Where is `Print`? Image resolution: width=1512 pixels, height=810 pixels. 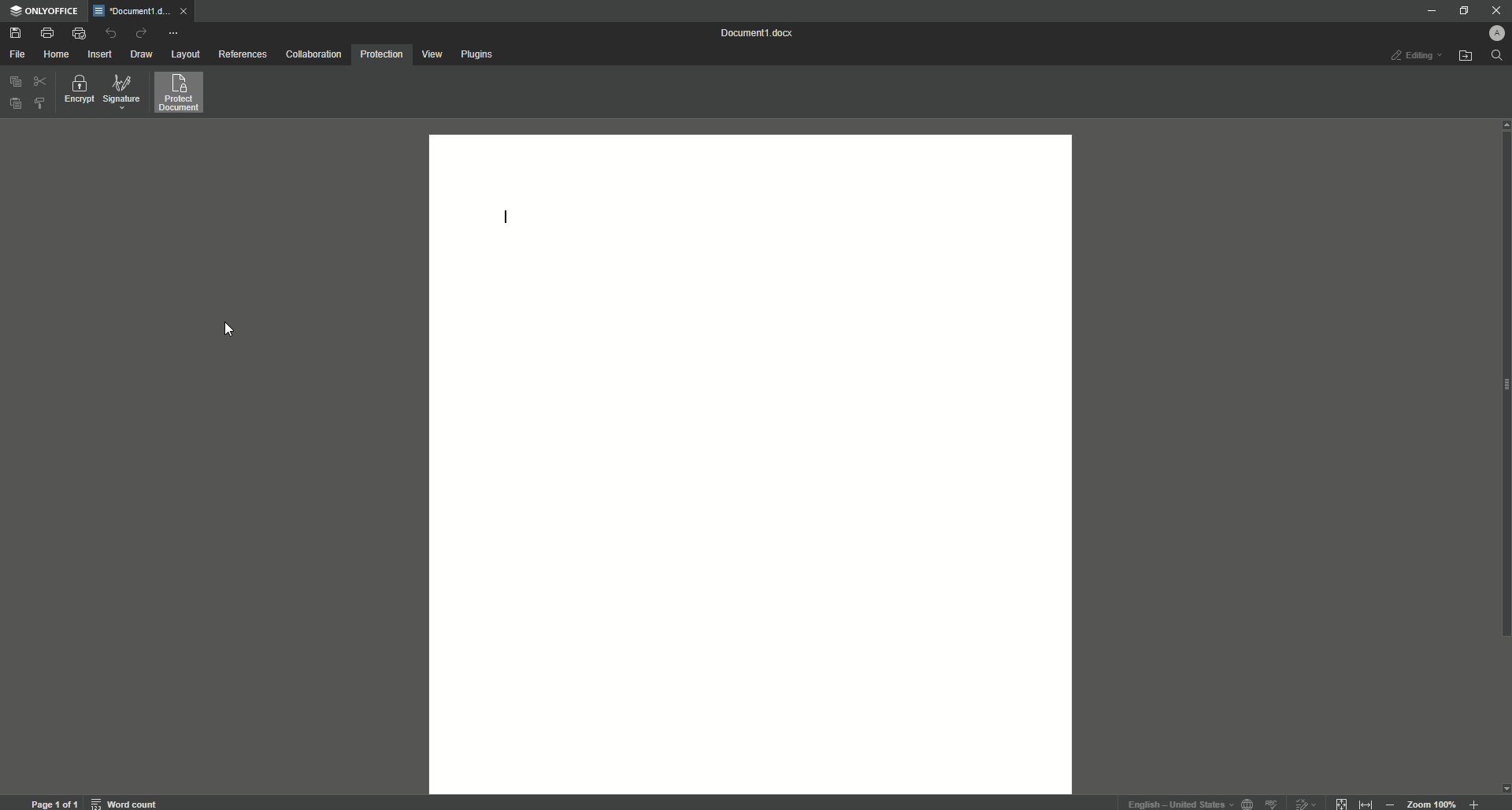 Print is located at coordinates (46, 33).